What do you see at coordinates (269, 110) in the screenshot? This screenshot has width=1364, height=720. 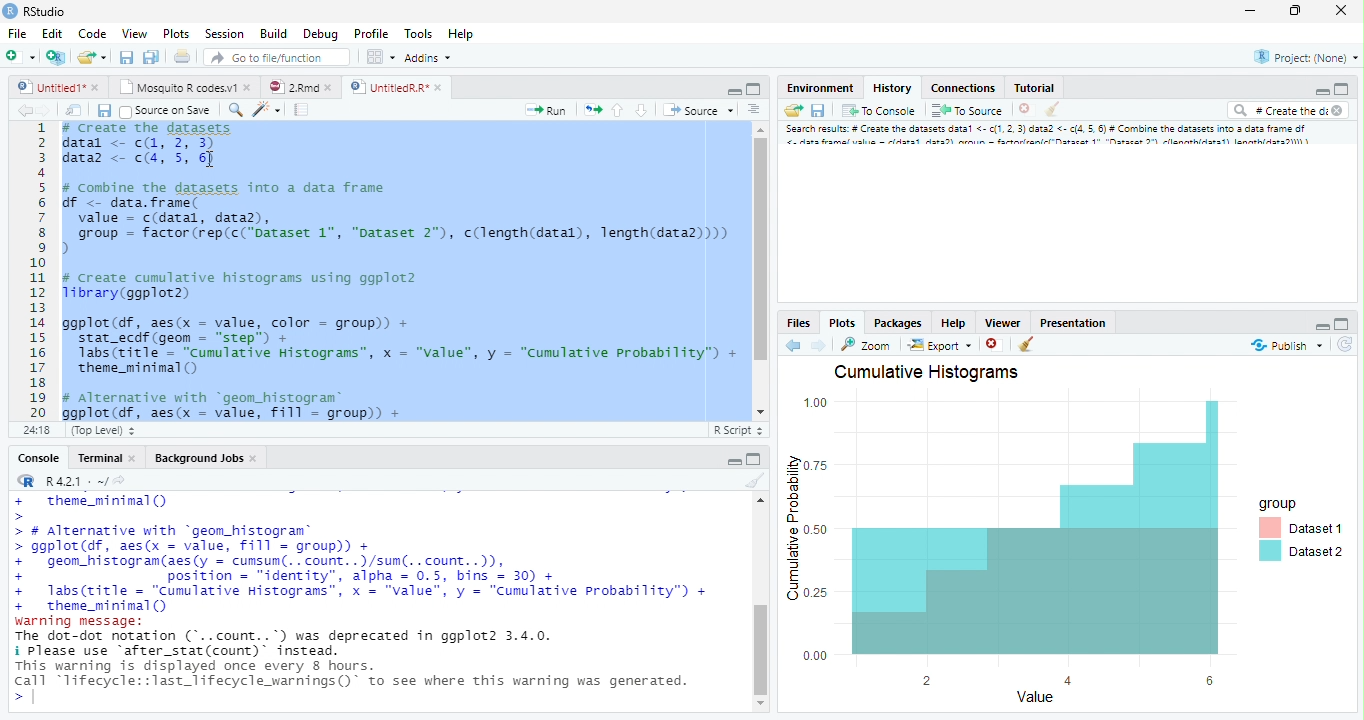 I see `Code beautify` at bounding box center [269, 110].